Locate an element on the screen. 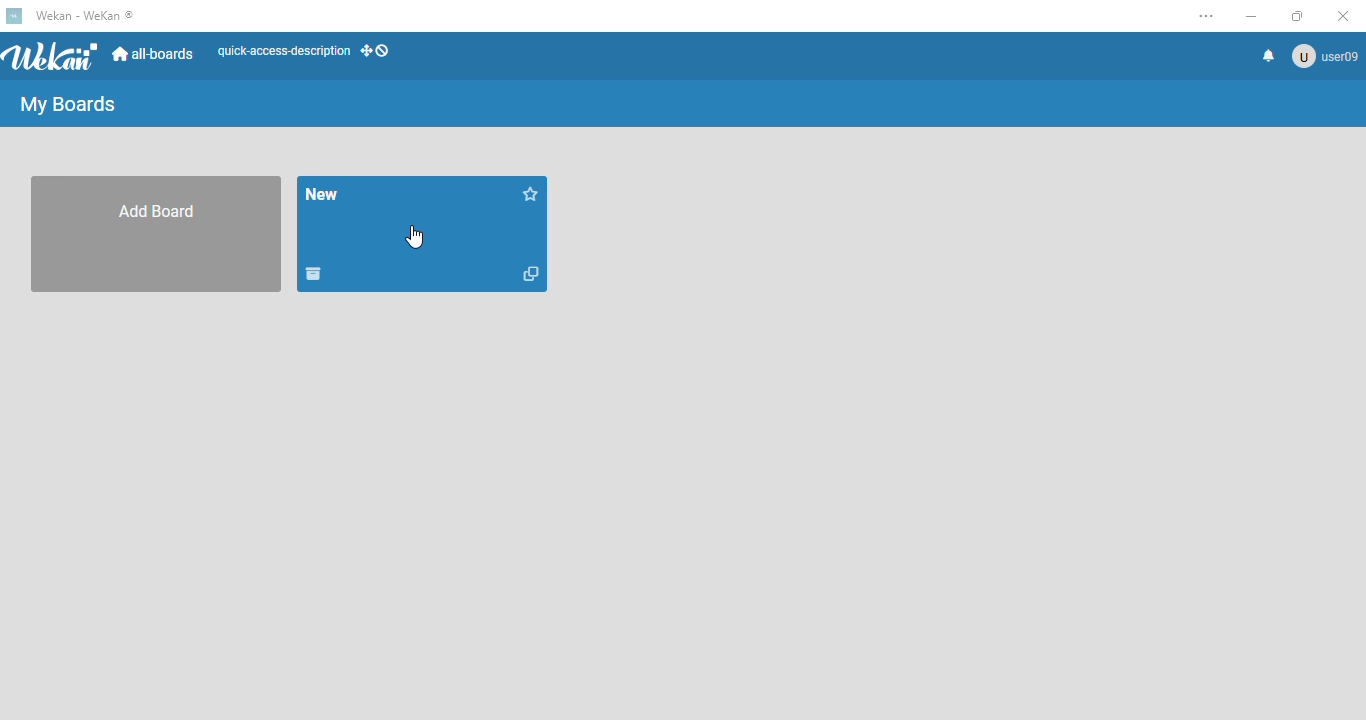 The image size is (1366, 720). my boards is located at coordinates (68, 103).